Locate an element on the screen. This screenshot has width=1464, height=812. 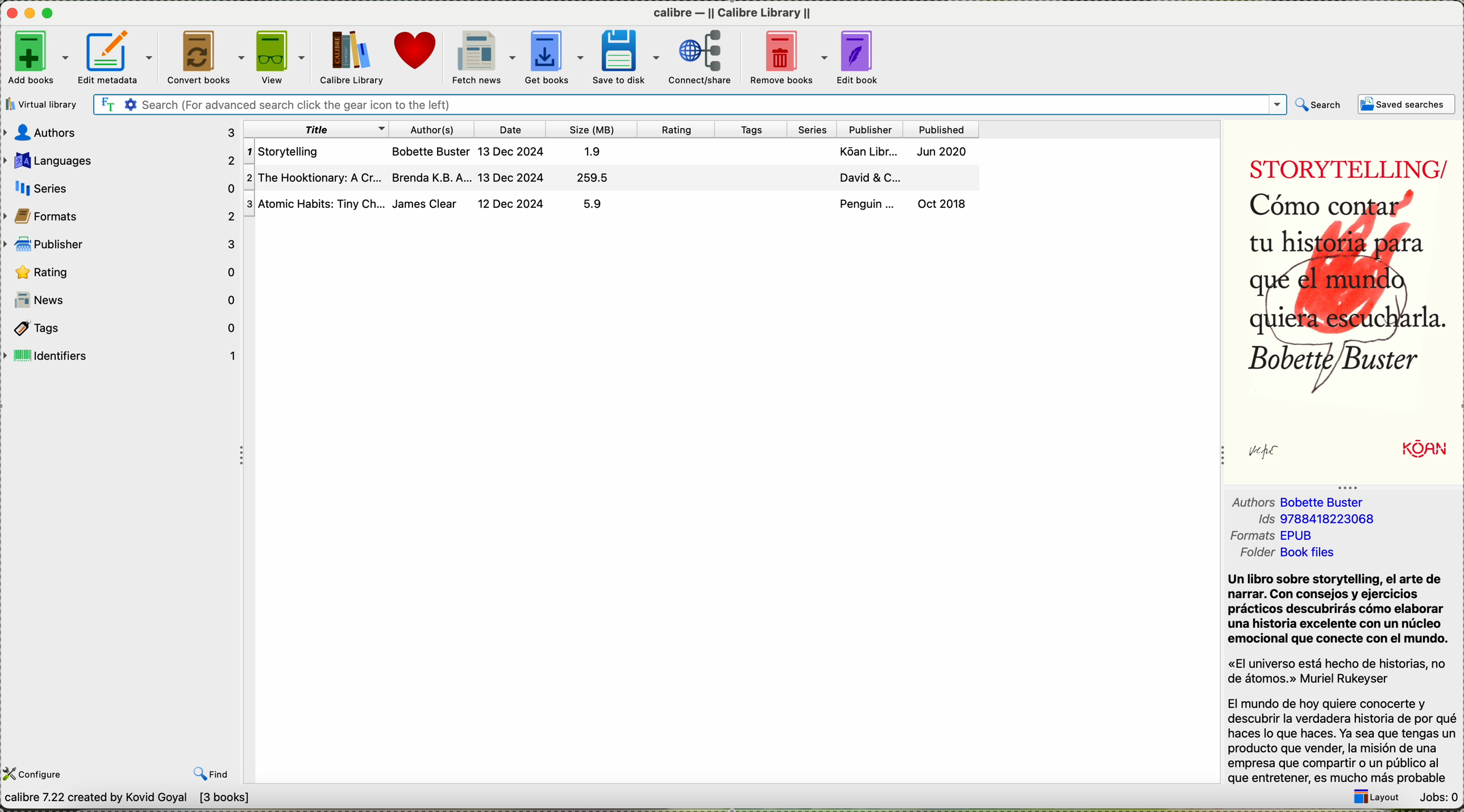
Como contar tu historia para que el mundo quiera escucharla Bobette buster is located at coordinates (1341, 293).